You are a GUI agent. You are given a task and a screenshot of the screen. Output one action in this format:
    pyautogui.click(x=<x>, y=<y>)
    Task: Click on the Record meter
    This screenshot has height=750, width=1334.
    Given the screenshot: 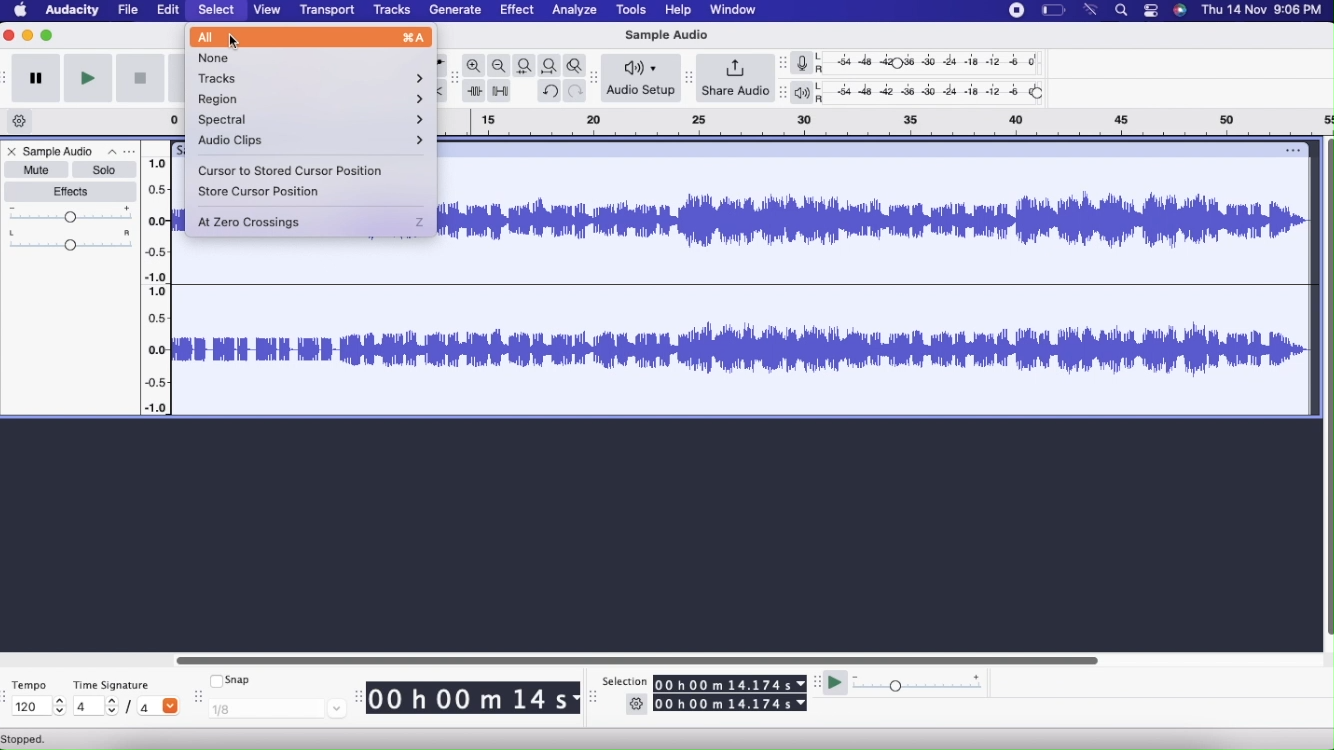 What is the action you would take?
    pyautogui.click(x=808, y=62)
    